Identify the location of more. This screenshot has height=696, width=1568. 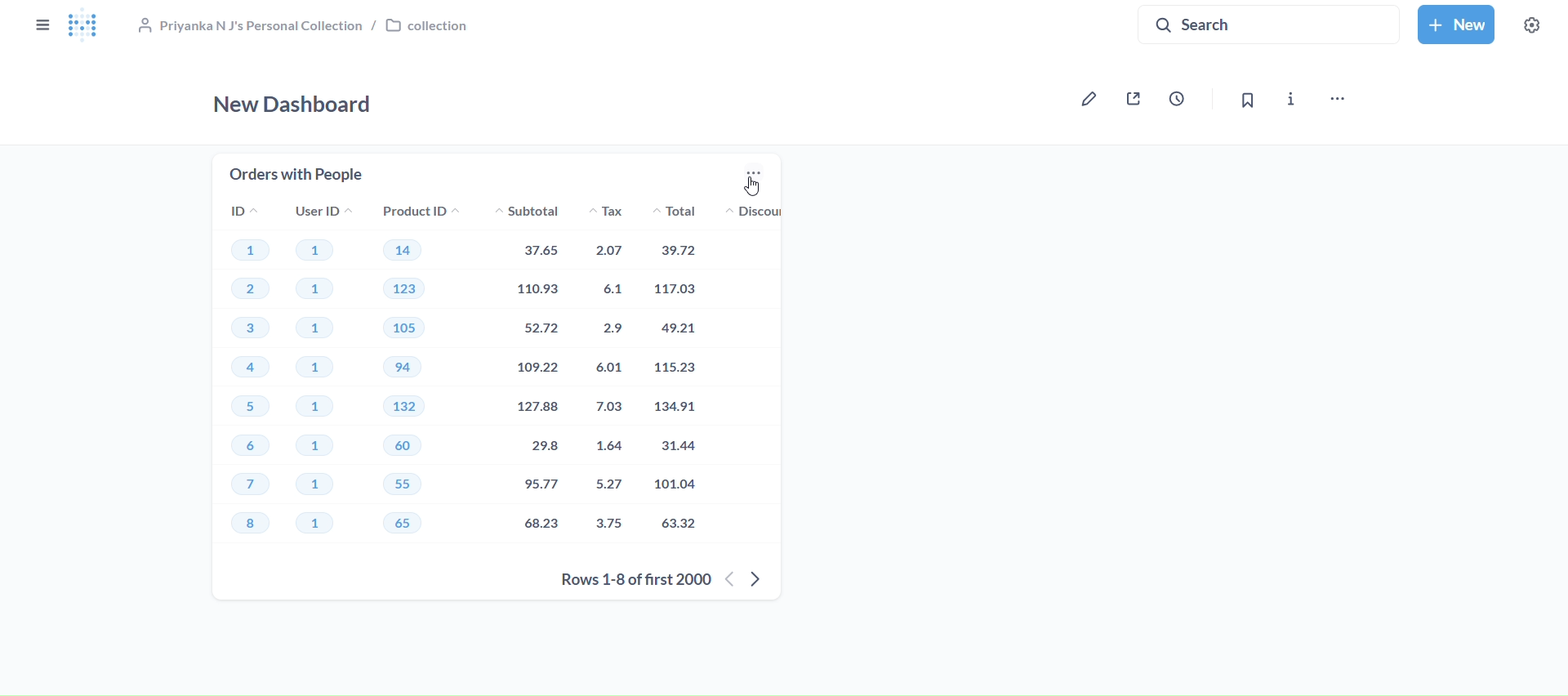
(751, 176).